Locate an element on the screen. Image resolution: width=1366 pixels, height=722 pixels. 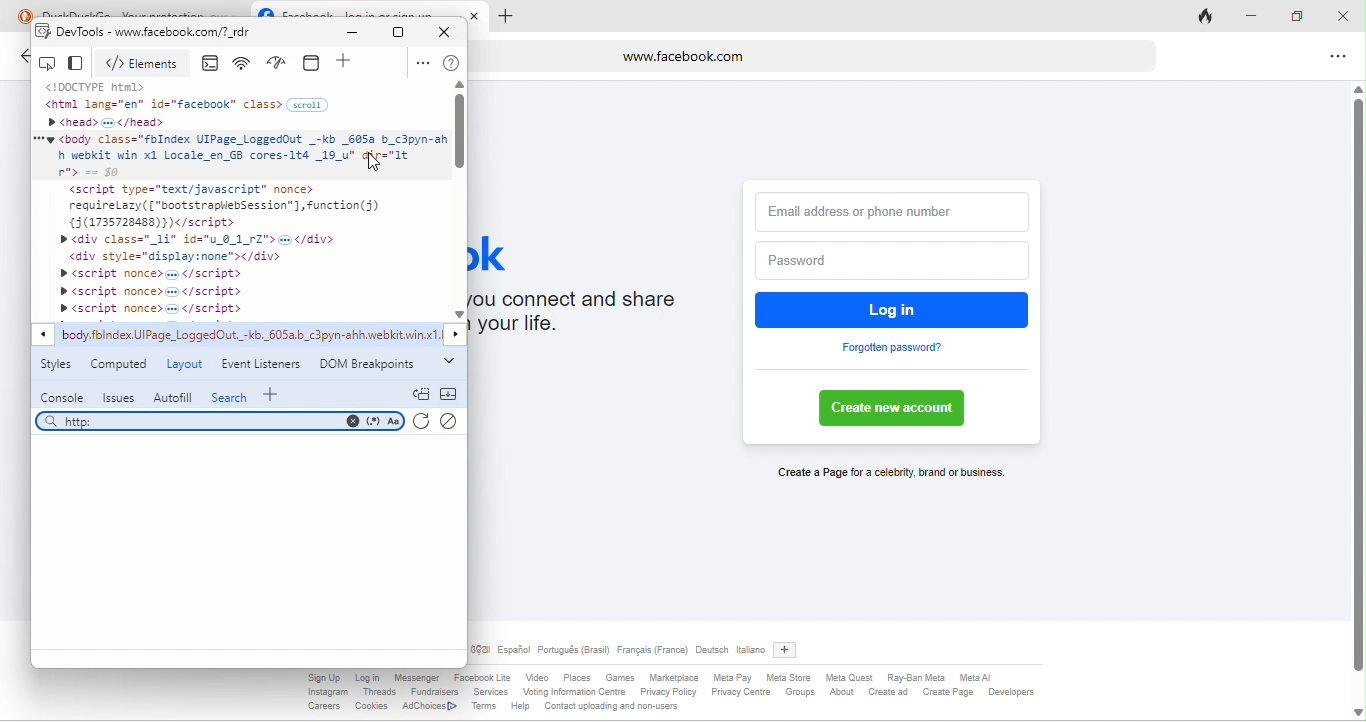
facebook-log in or sign in is located at coordinates (369, 10).